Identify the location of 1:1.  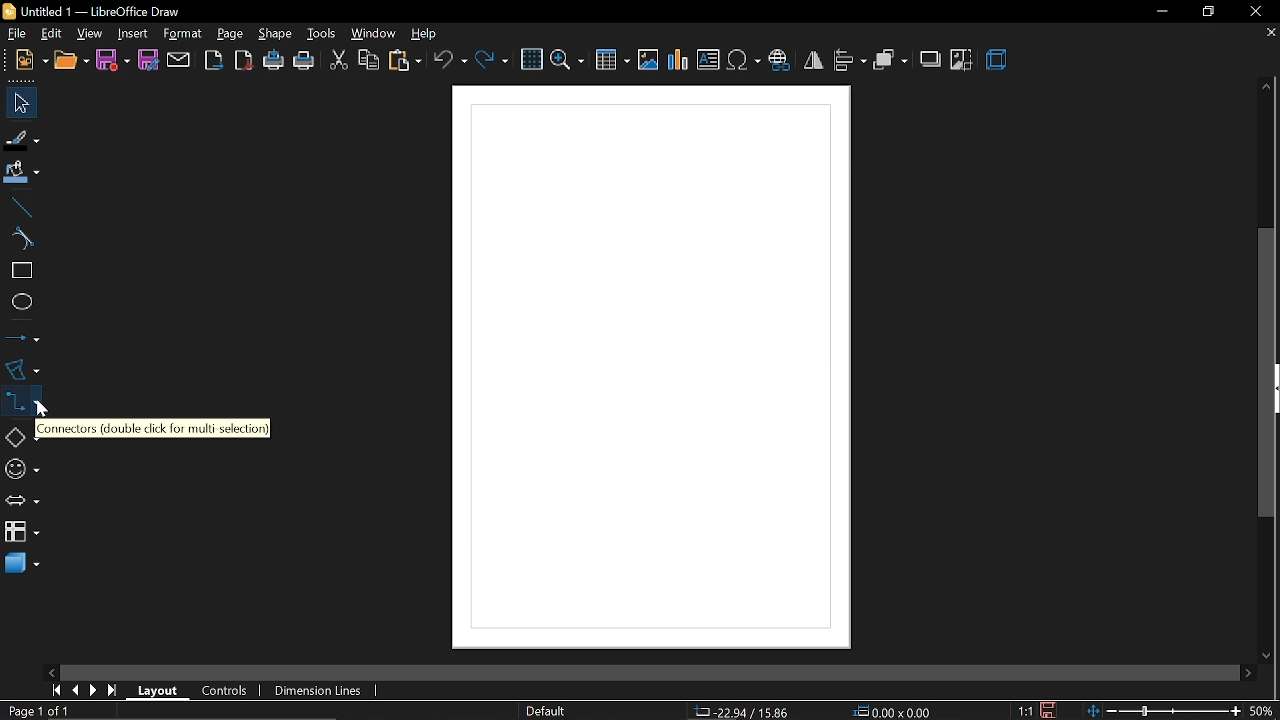
(1027, 711).